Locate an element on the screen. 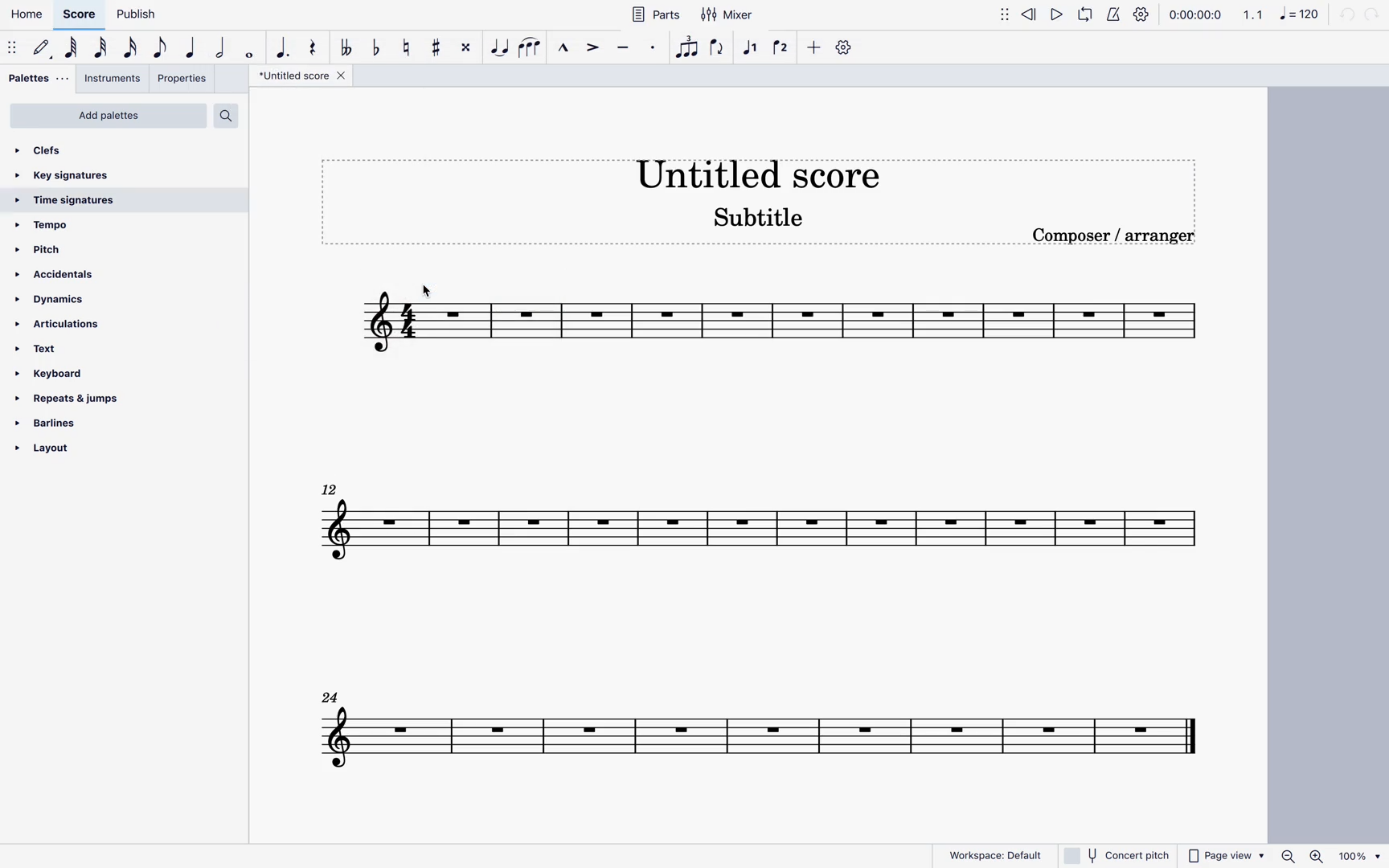 The image size is (1389, 868). mixer is located at coordinates (729, 12).